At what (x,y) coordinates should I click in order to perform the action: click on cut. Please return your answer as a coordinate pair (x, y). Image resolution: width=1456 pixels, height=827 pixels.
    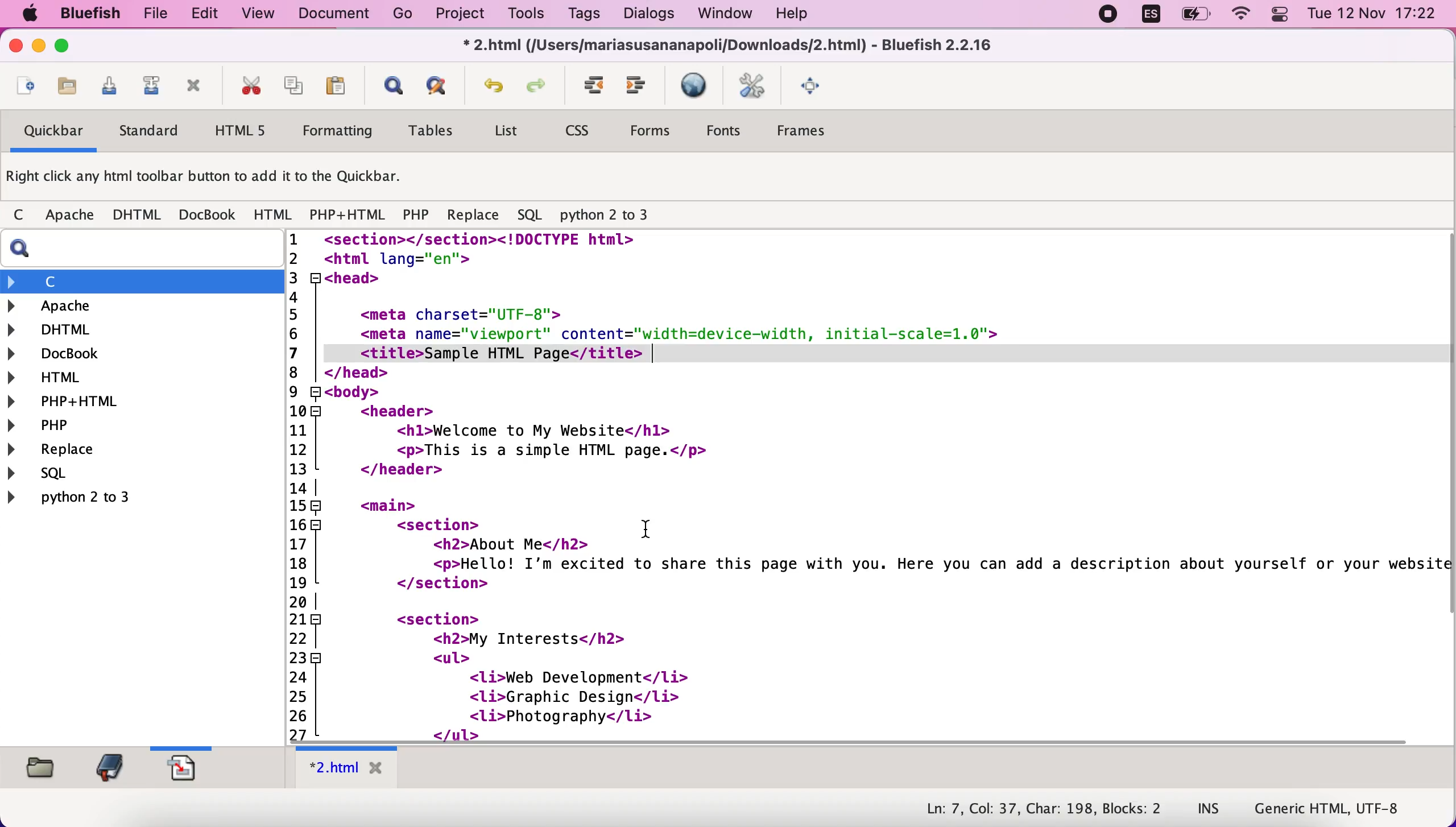
    Looking at the image, I should click on (253, 86).